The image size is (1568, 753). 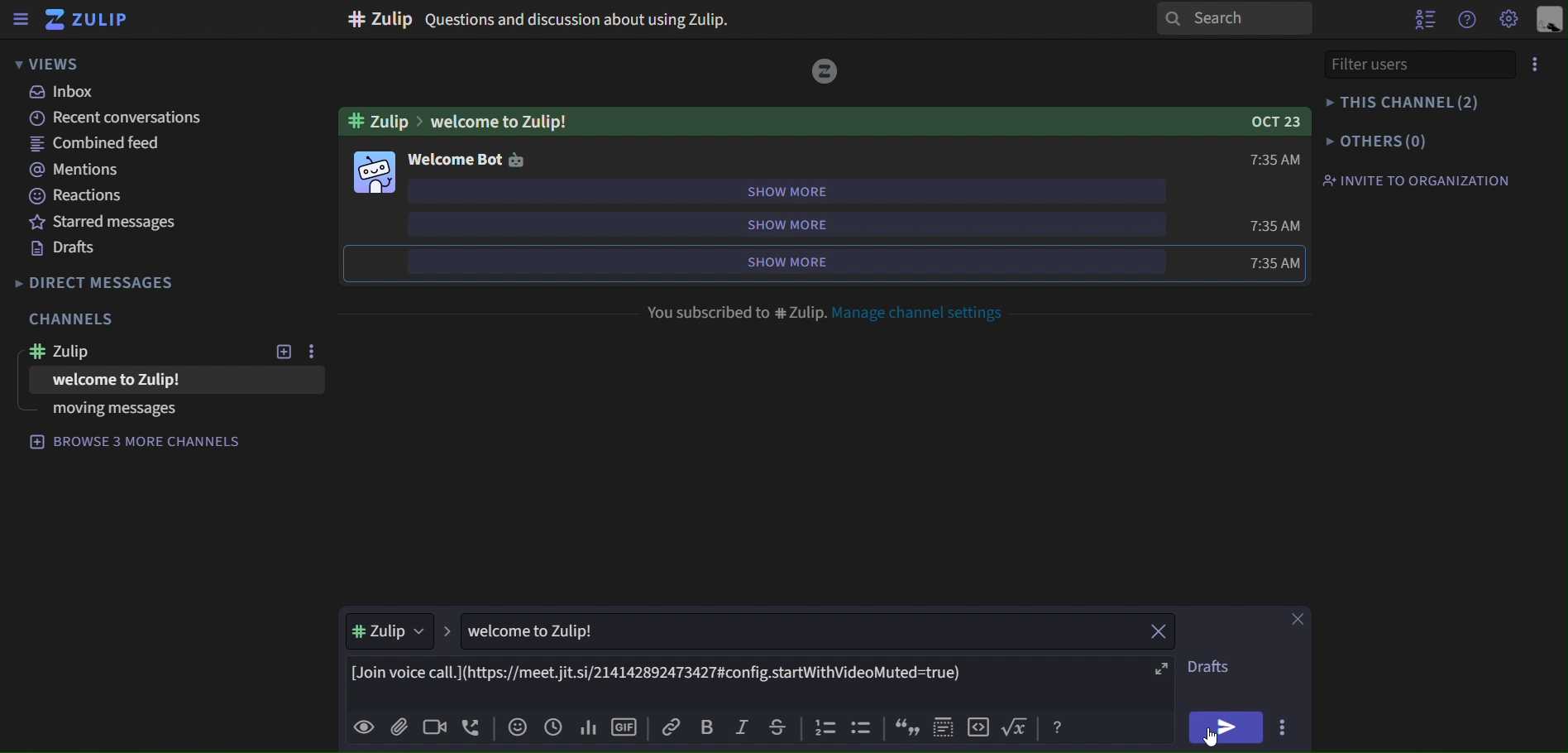 What do you see at coordinates (1298, 617) in the screenshot?
I see `close` at bounding box center [1298, 617].